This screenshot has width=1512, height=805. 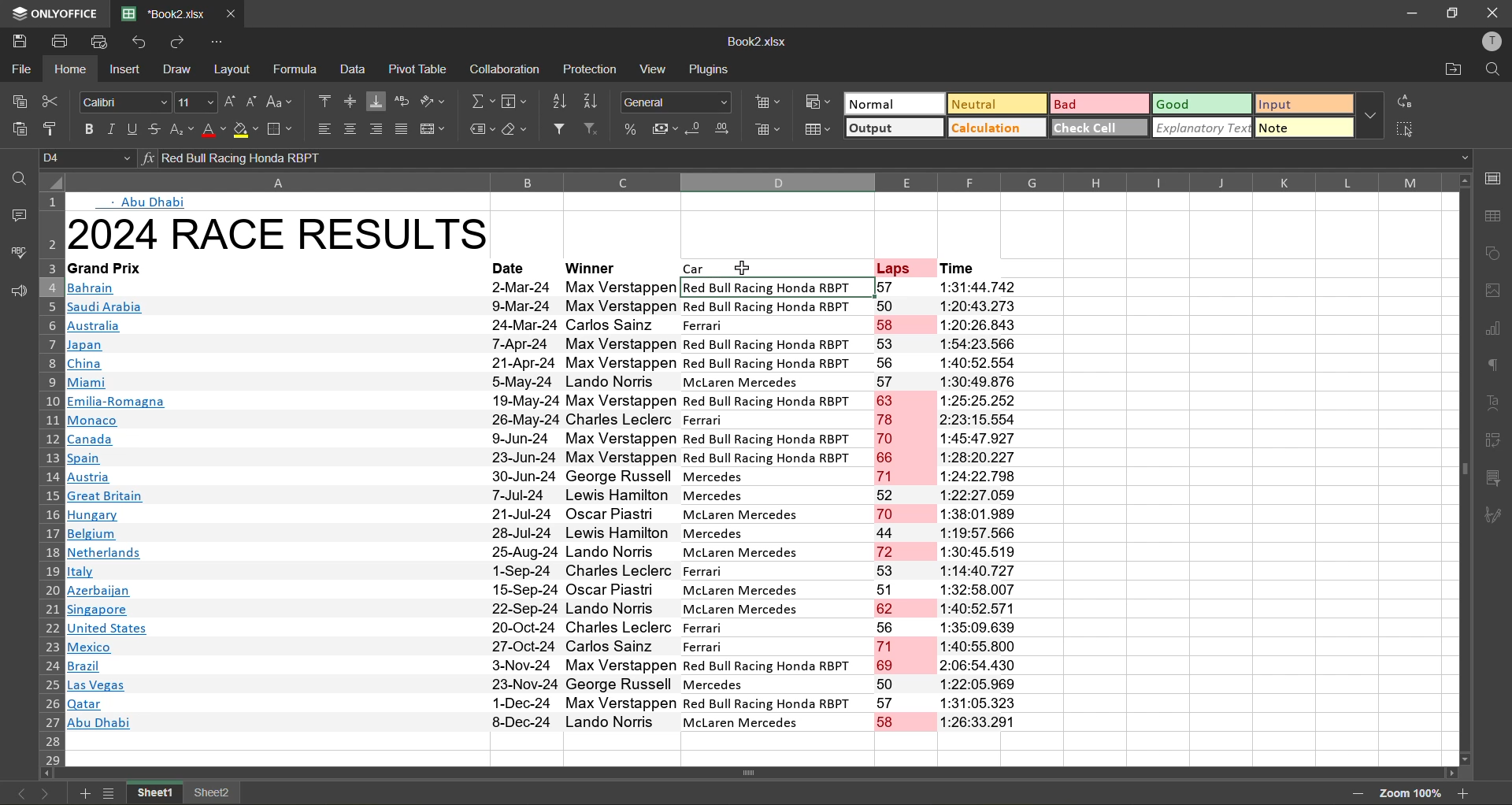 I want to click on row numbers, so click(x=48, y=484).